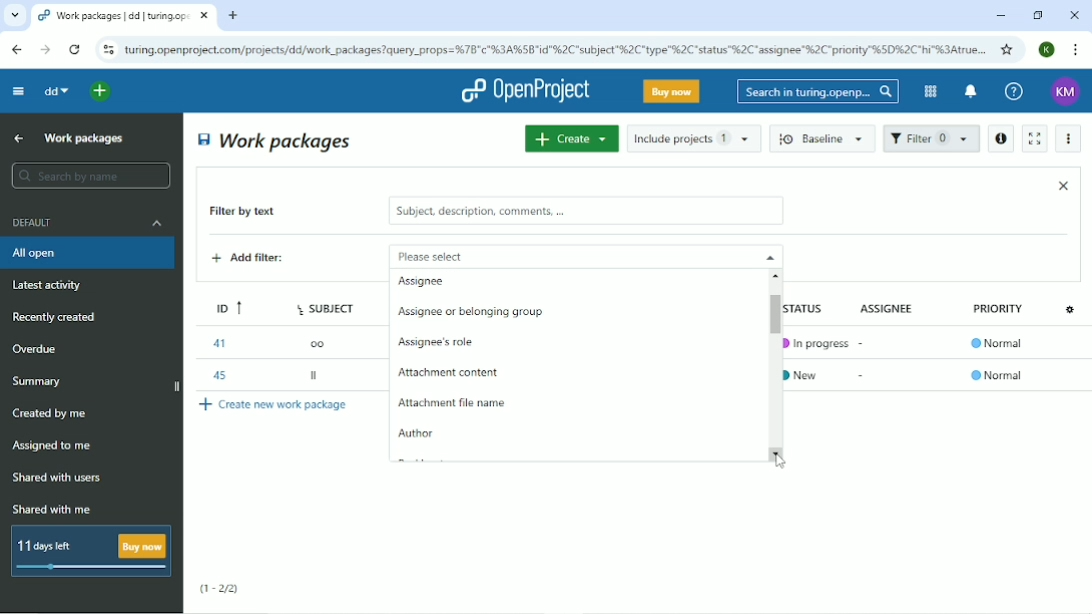 Image resolution: width=1092 pixels, height=614 pixels. What do you see at coordinates (780, 459) in the screenshot?
I see `Cursor` at bounding box center [780, 459].